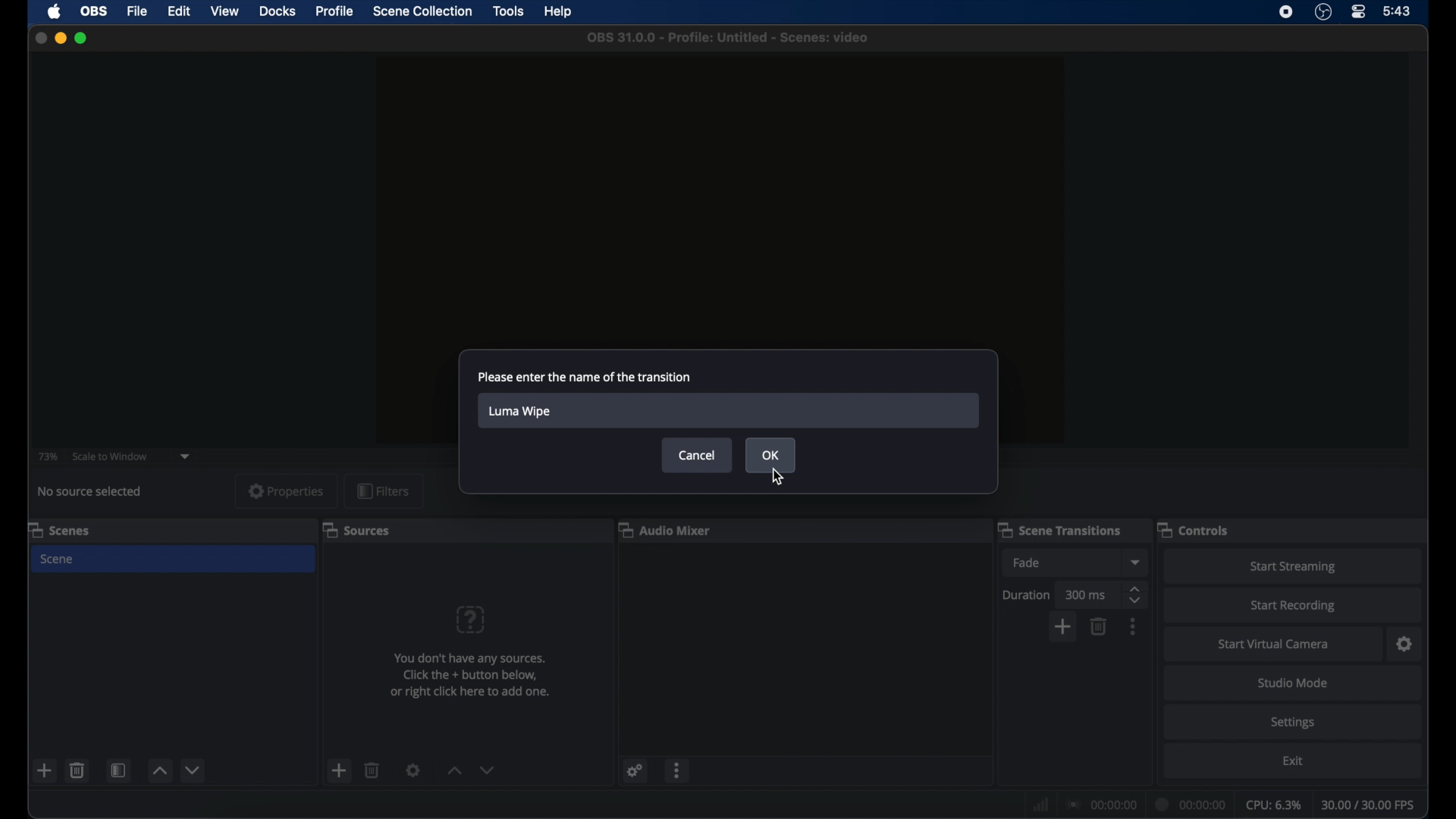 Image resolution: width=1456 pixels, height=819 pixels. Describe the element at coordinates (1398, 12) in the screenshot. I see `time` at that location.